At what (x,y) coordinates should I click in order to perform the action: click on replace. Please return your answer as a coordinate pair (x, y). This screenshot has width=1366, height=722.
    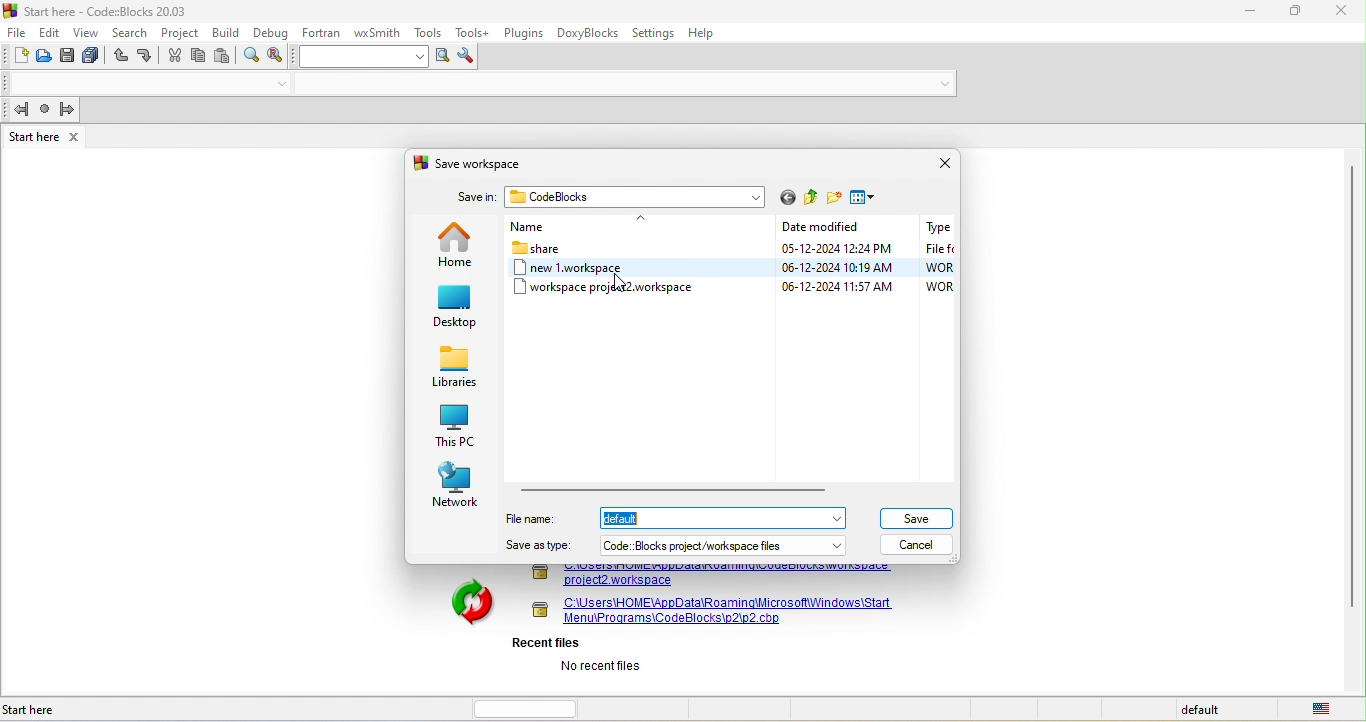
    Looking at the image, I should click on (280, 56).